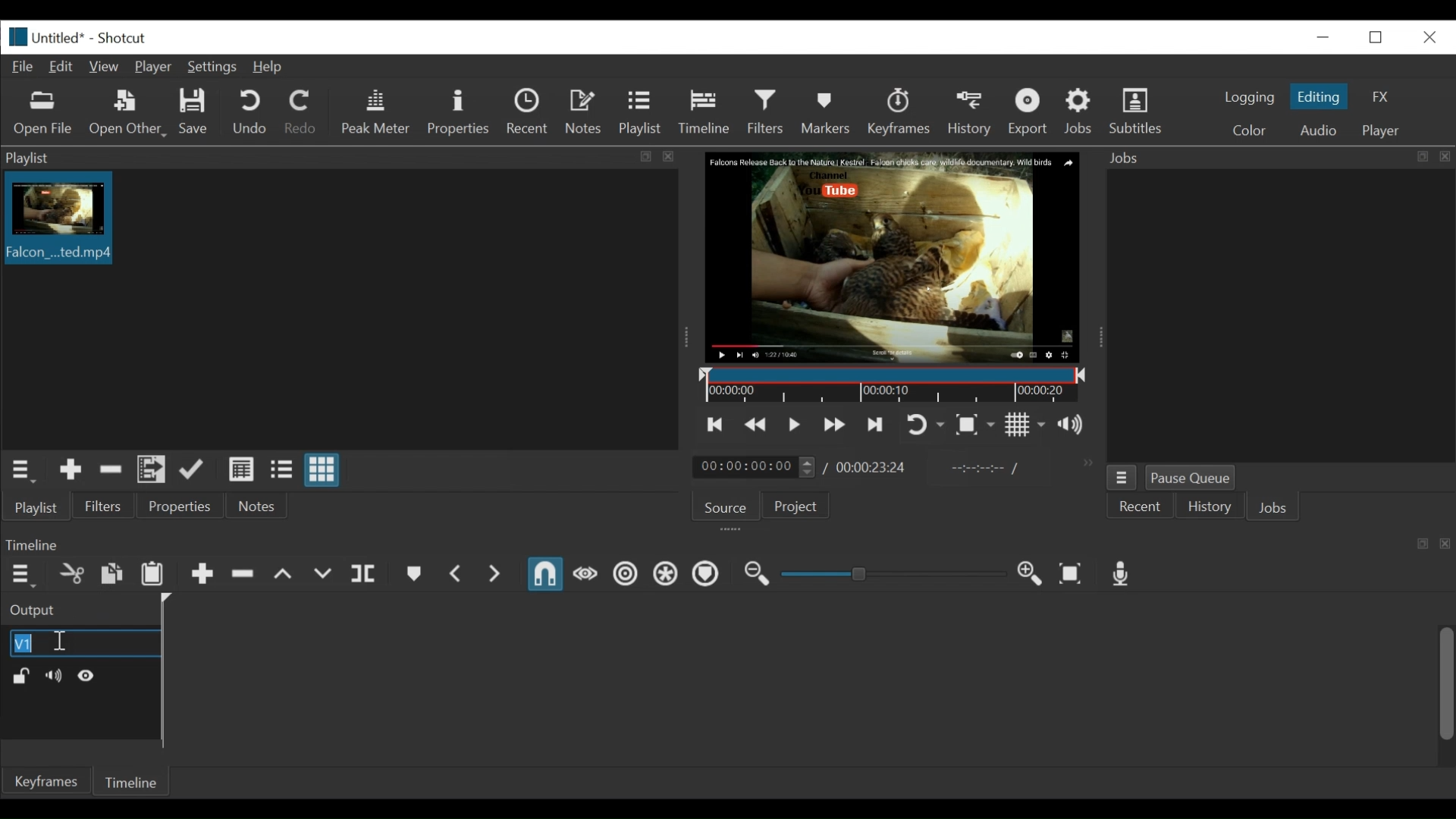 This screenshot has width=1456, height=819. Describe the element at coordinates (529, 113) in the screenshot. I see `Recent` at that location.